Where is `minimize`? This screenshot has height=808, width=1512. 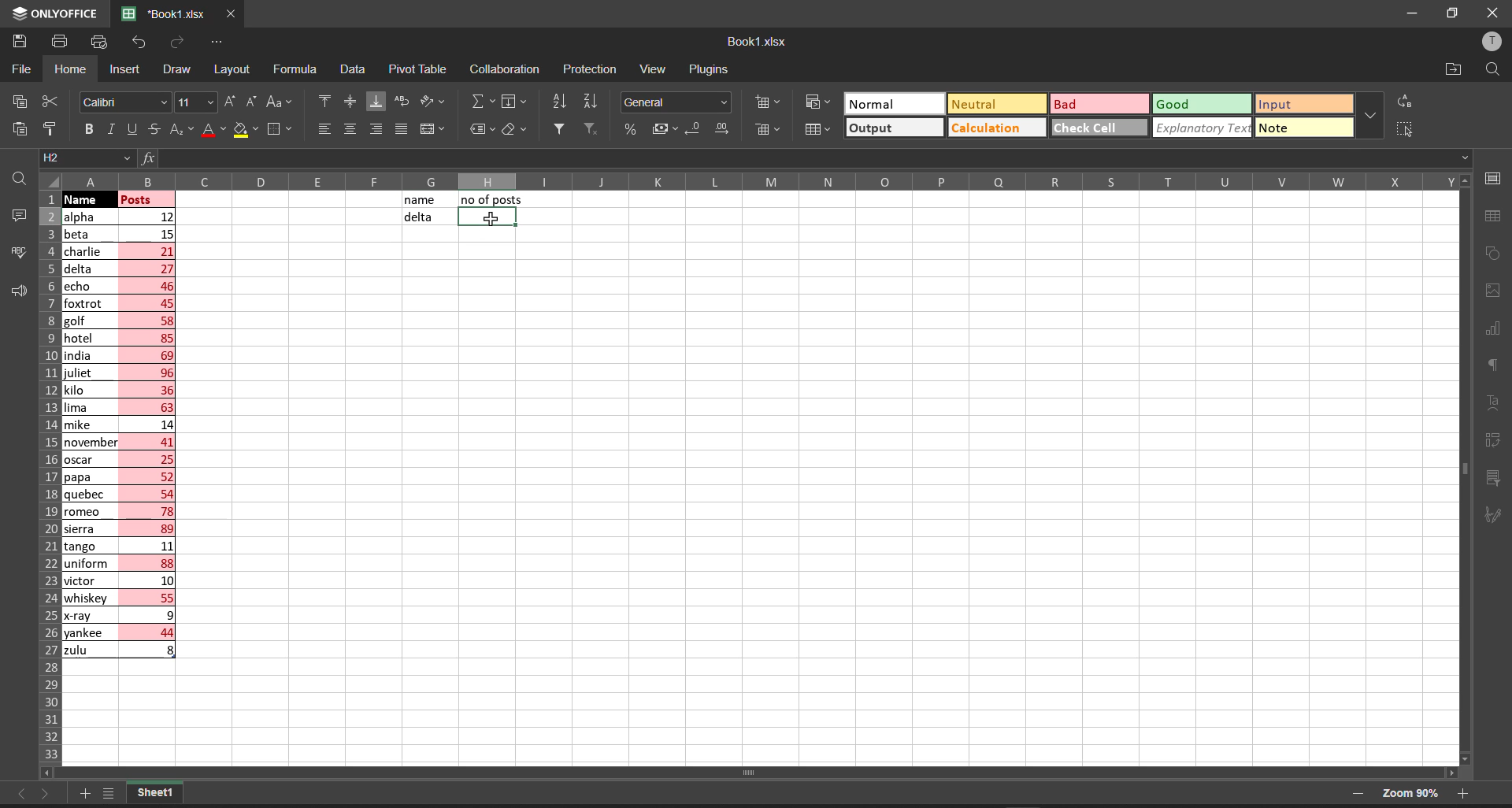 minimize is located at coordinates (1417, 14).